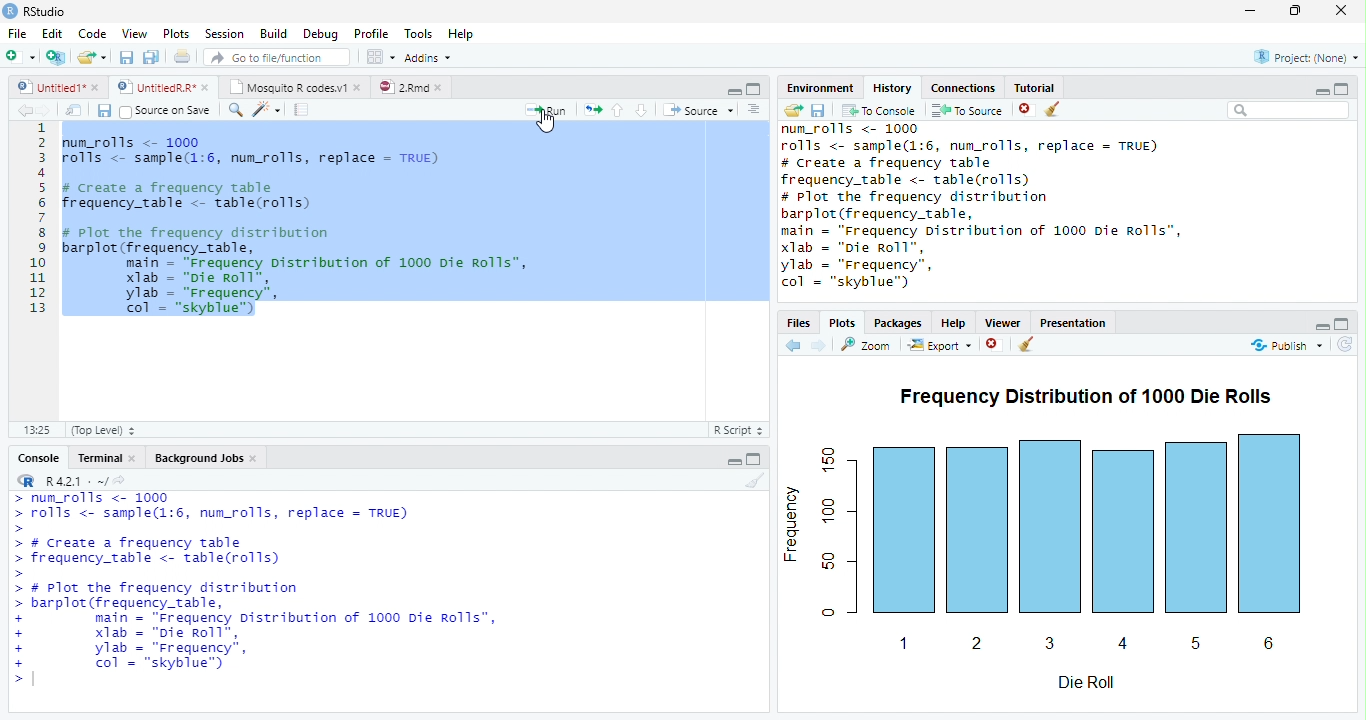 This screenshot has height=720, width=1366. I want to click on File, so click(18, 31).